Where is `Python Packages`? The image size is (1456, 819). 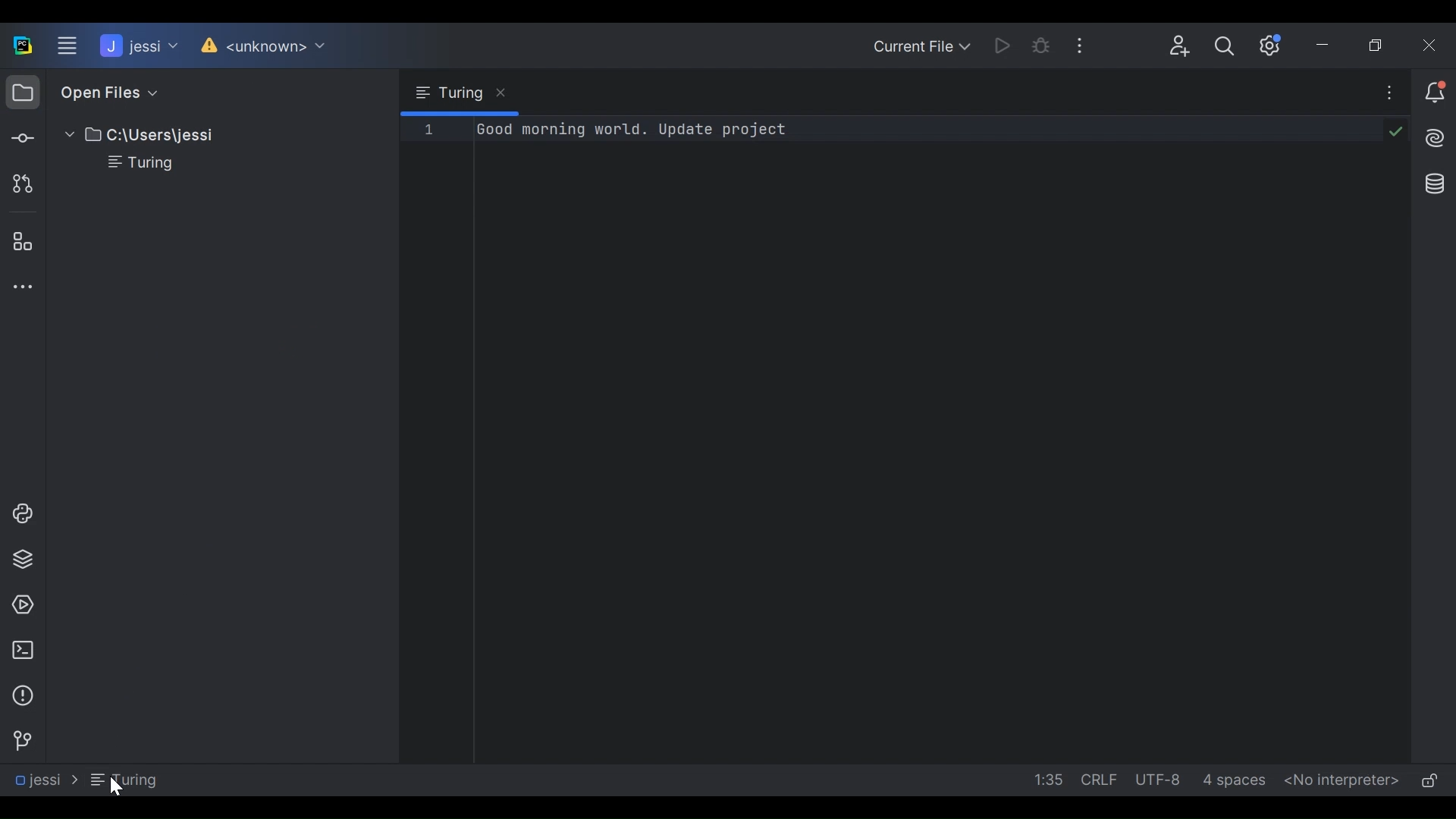
Python Packages is located at coordinates (21, 560).